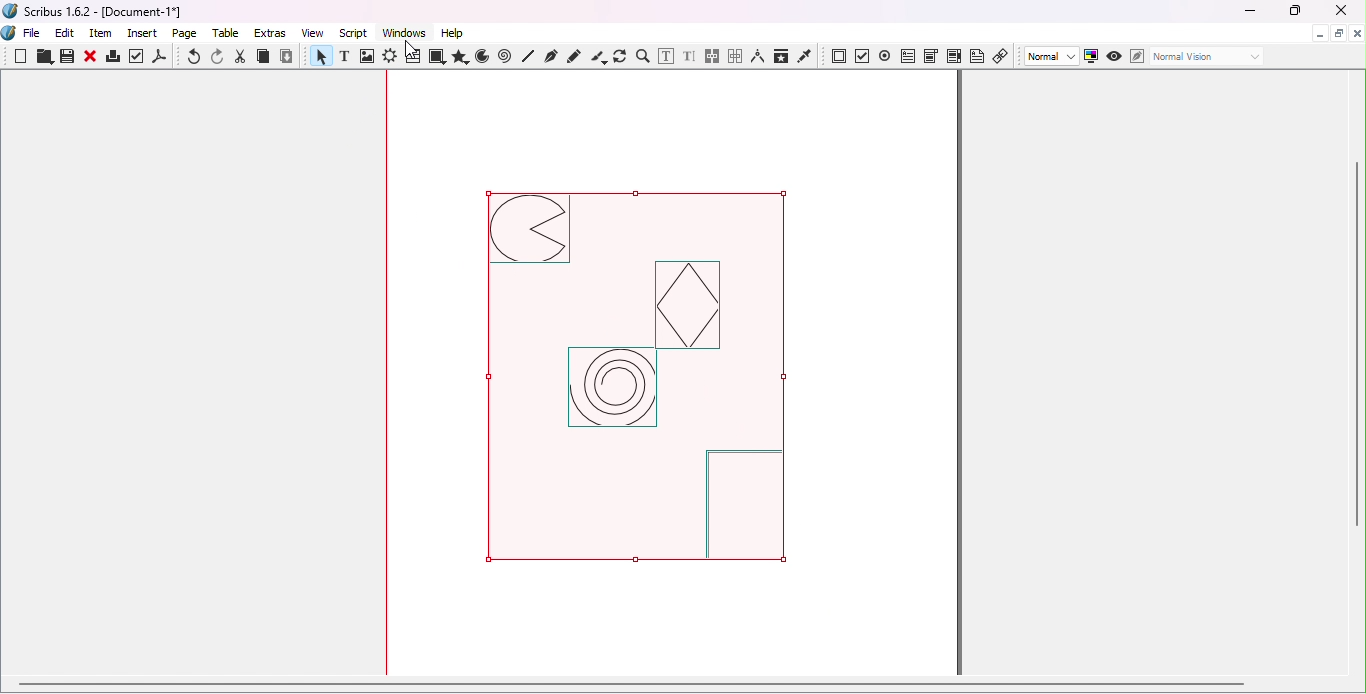 The height and width of the screenshot is (694, 1366). What do you see at coordinates (263, 58) in the screenshot?
I see `Copy` at bounding box center [263, 58].